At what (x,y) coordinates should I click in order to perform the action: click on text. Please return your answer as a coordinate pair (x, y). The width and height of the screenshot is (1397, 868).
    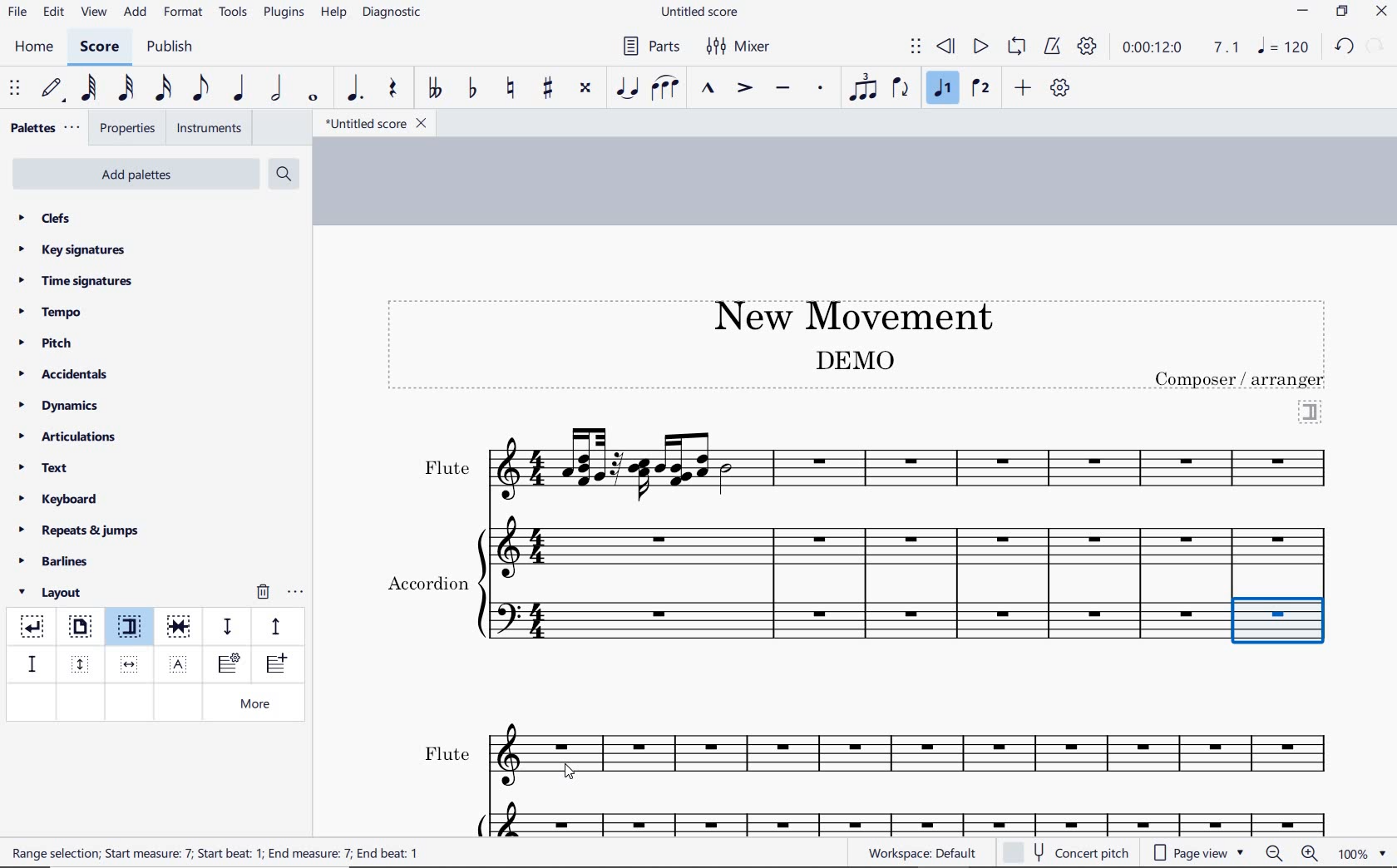
    Looking at the image, I should click on (45, 470).